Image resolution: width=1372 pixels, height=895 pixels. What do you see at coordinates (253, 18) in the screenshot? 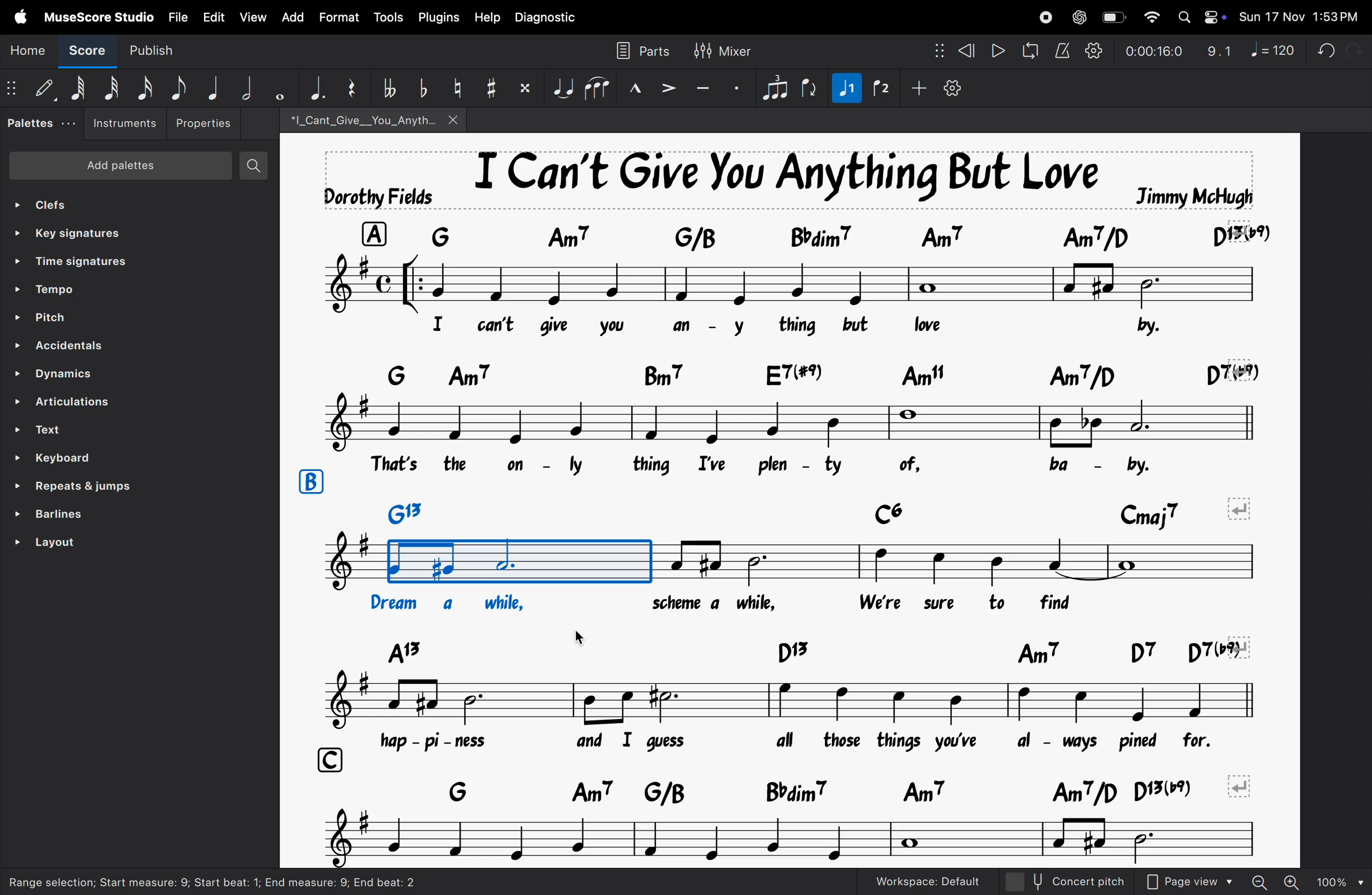
I see `view` at bounding box center [253, 18].